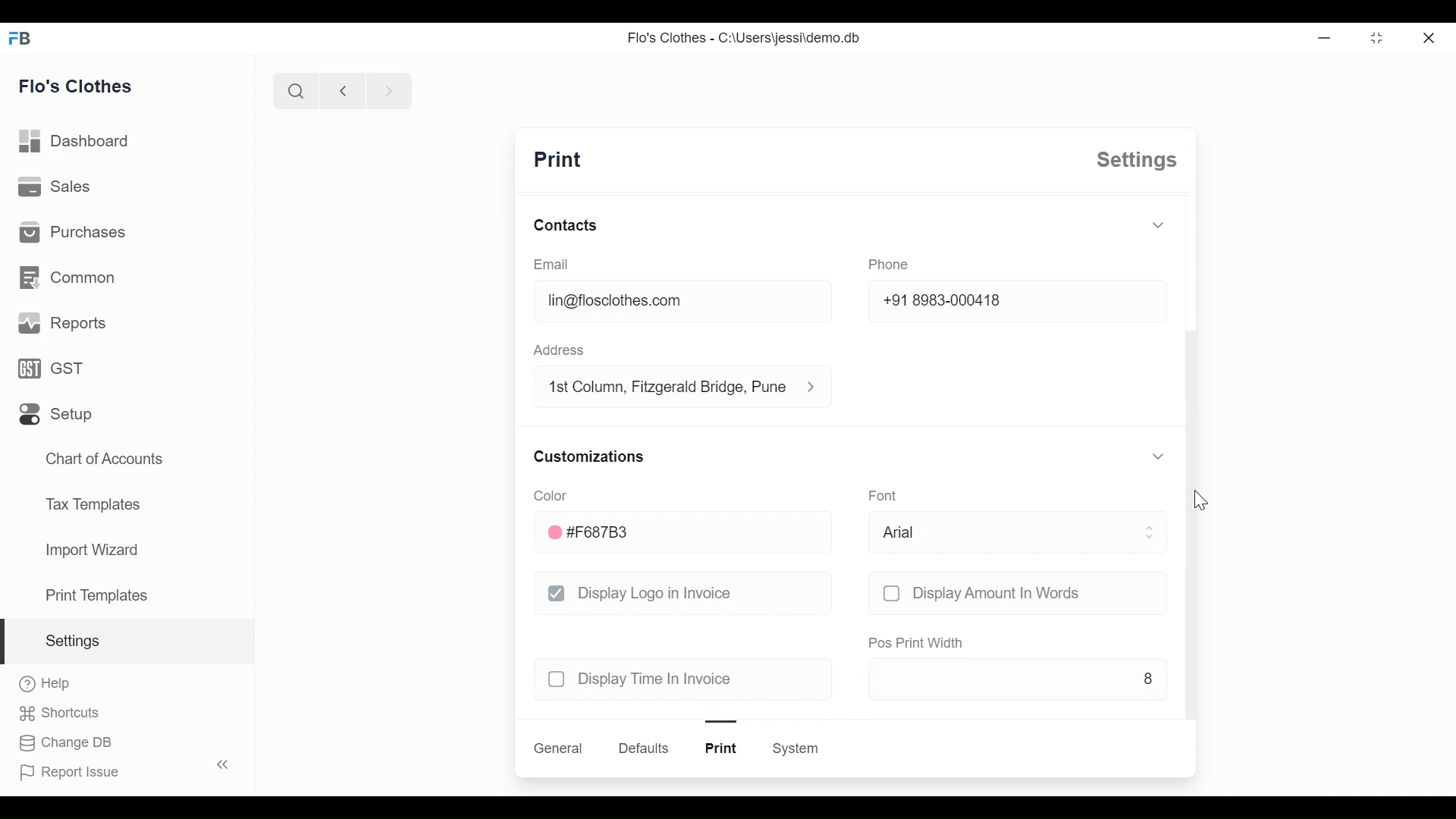 This screenshot has width=1456, height=819. I want to click on scroll bar, so click(1191, 524).